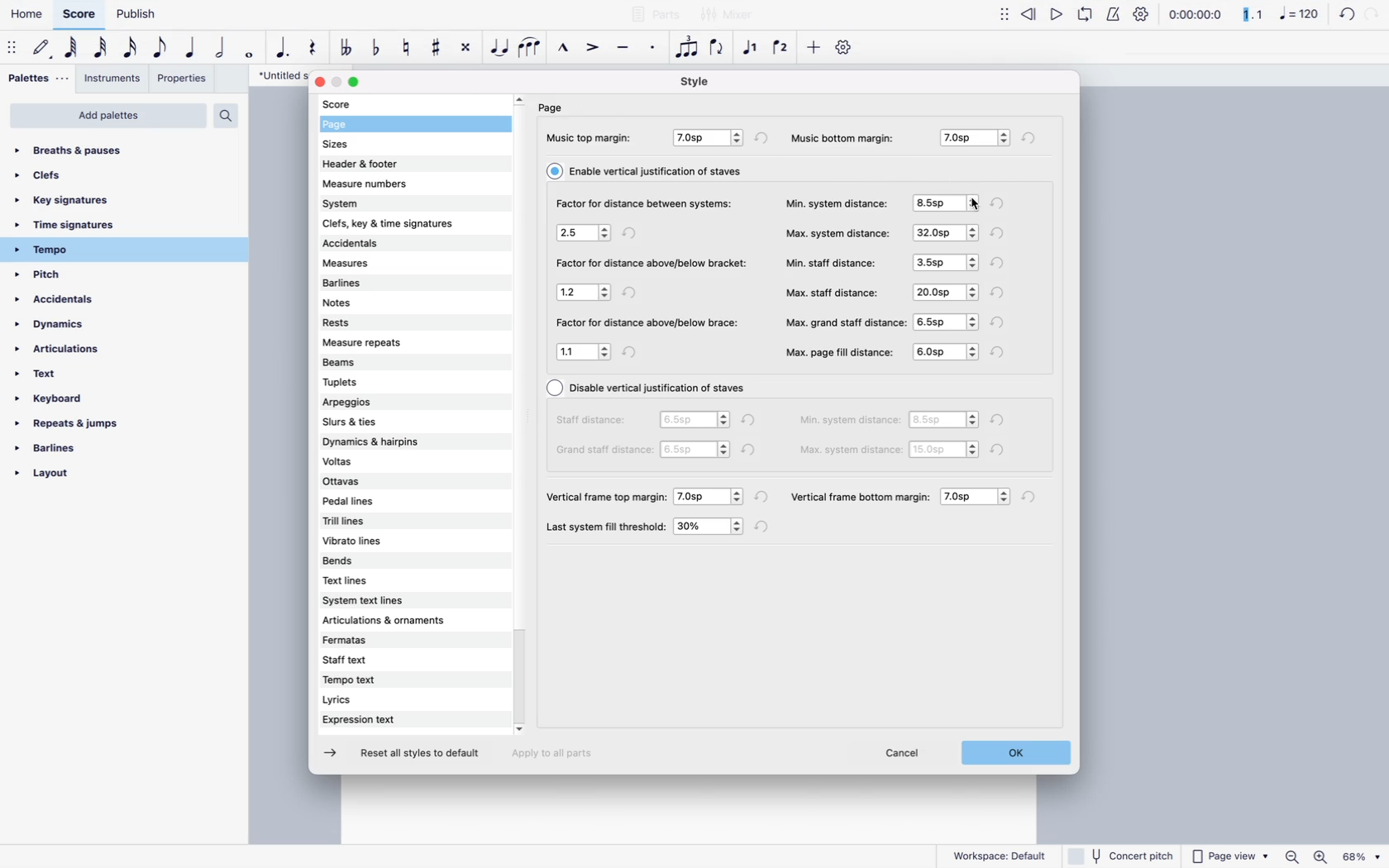 The width and height of the screenshot is (1389, 868). What do you see at coordinates (632, 235) in the screenshot?
I see `refresh` at bounding box center [632, 235].